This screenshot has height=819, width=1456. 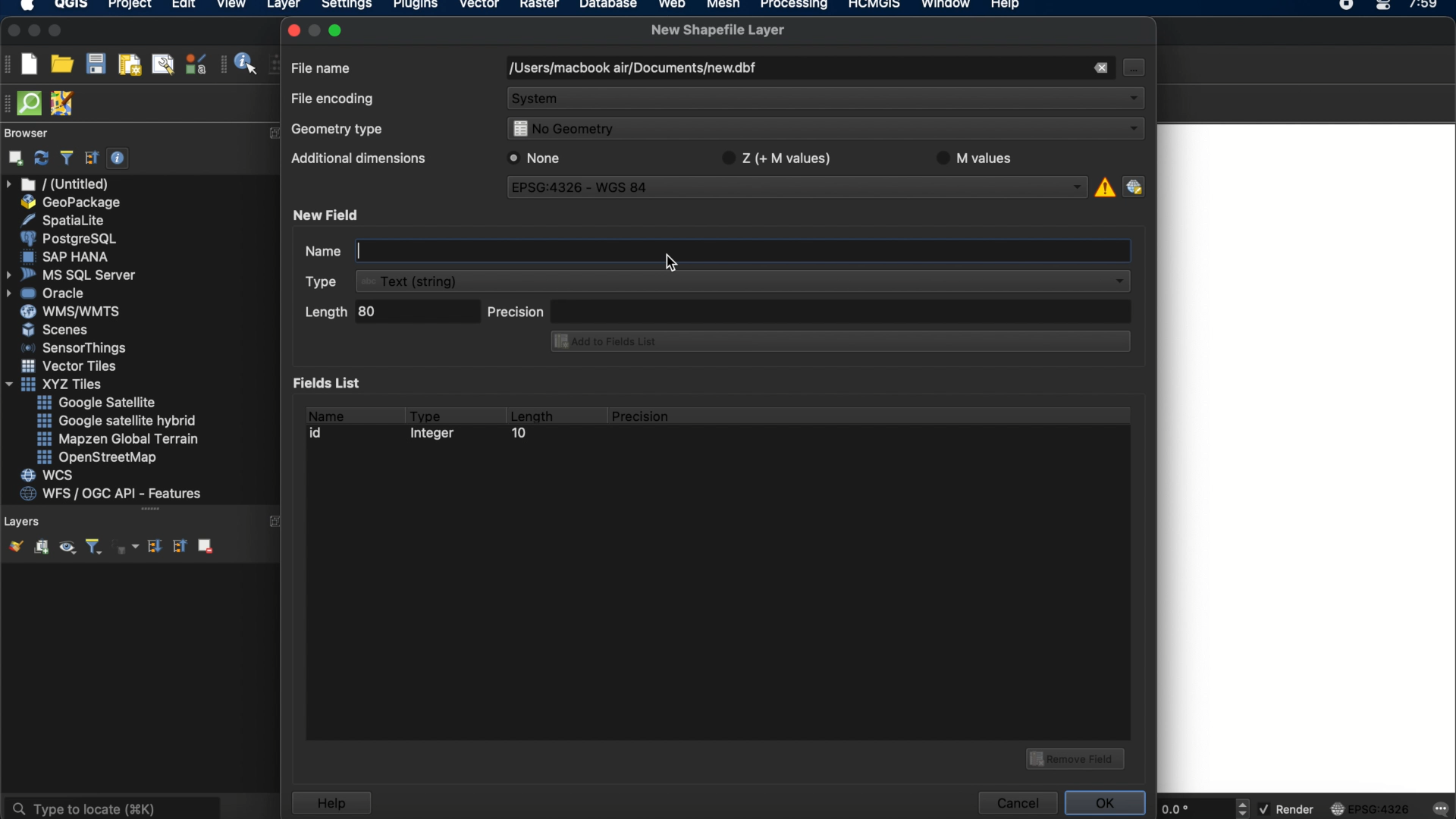 I want to click on No Geometry, so click(x=822, y=130).